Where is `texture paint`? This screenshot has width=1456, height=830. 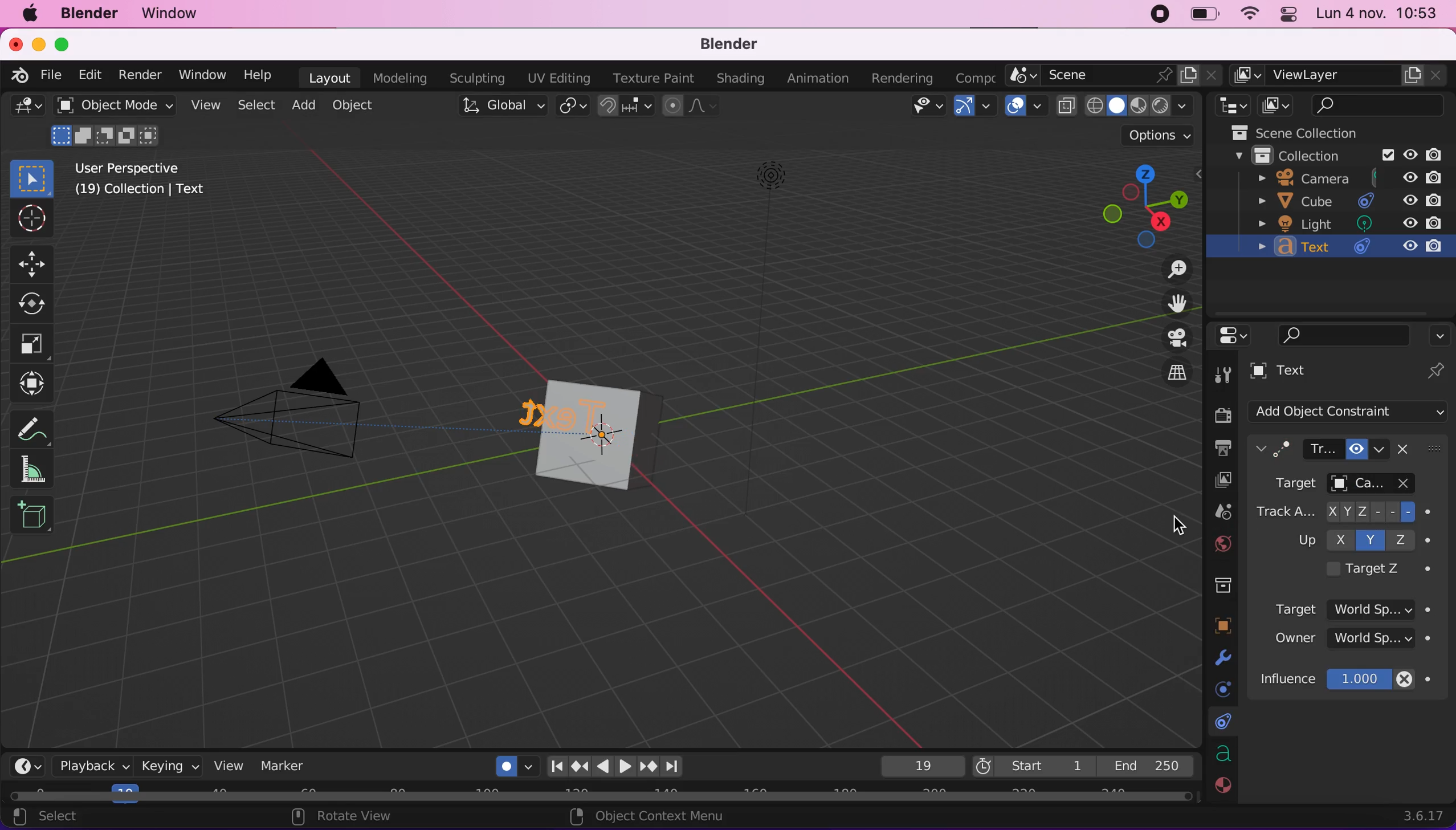
texture paint is located at coordinates (656, 78).